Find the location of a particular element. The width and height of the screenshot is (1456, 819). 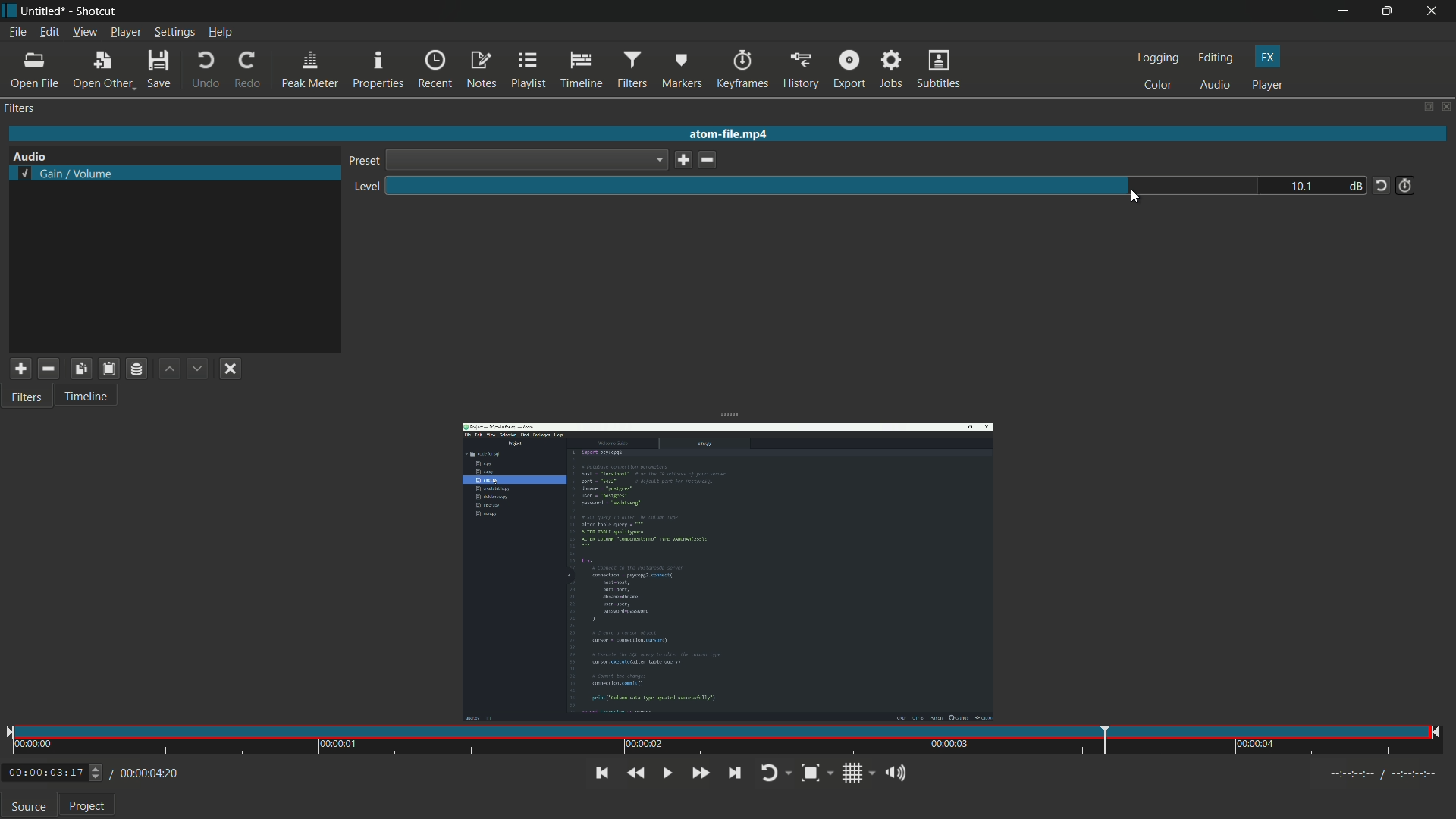

toggle player looping is located at coordinates (775, 774).